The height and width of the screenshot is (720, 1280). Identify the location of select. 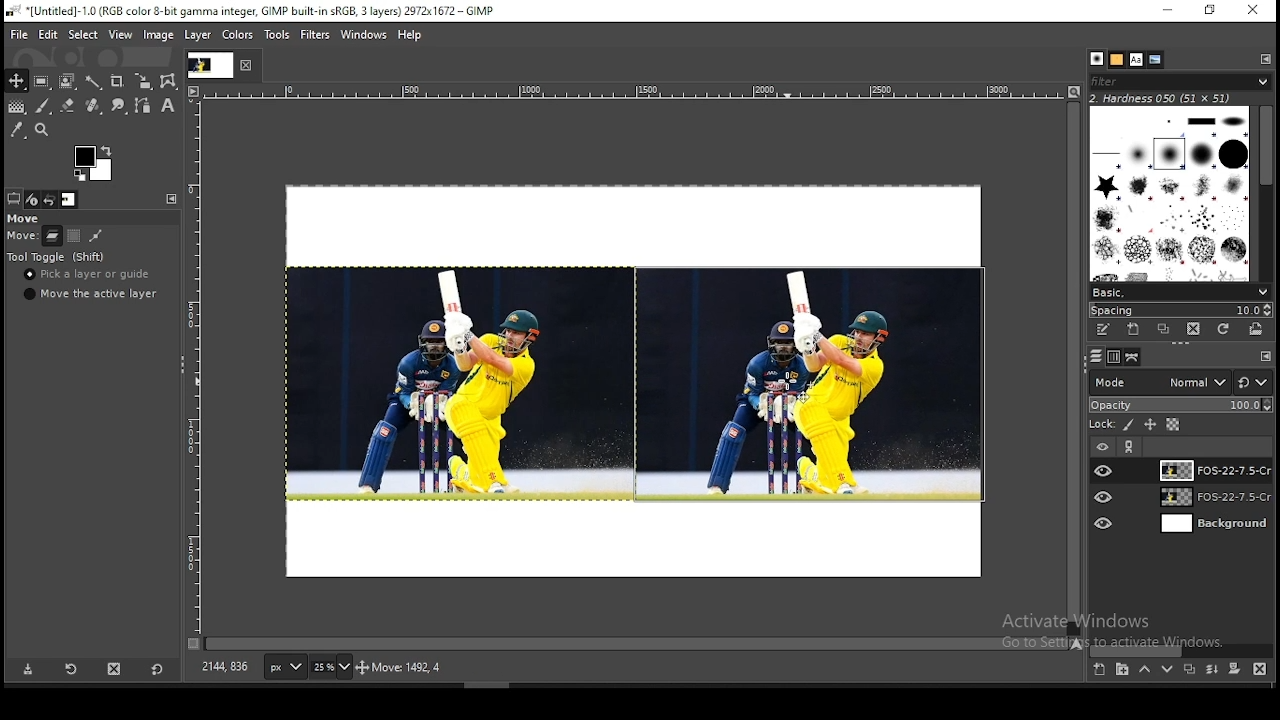
(84, 36).